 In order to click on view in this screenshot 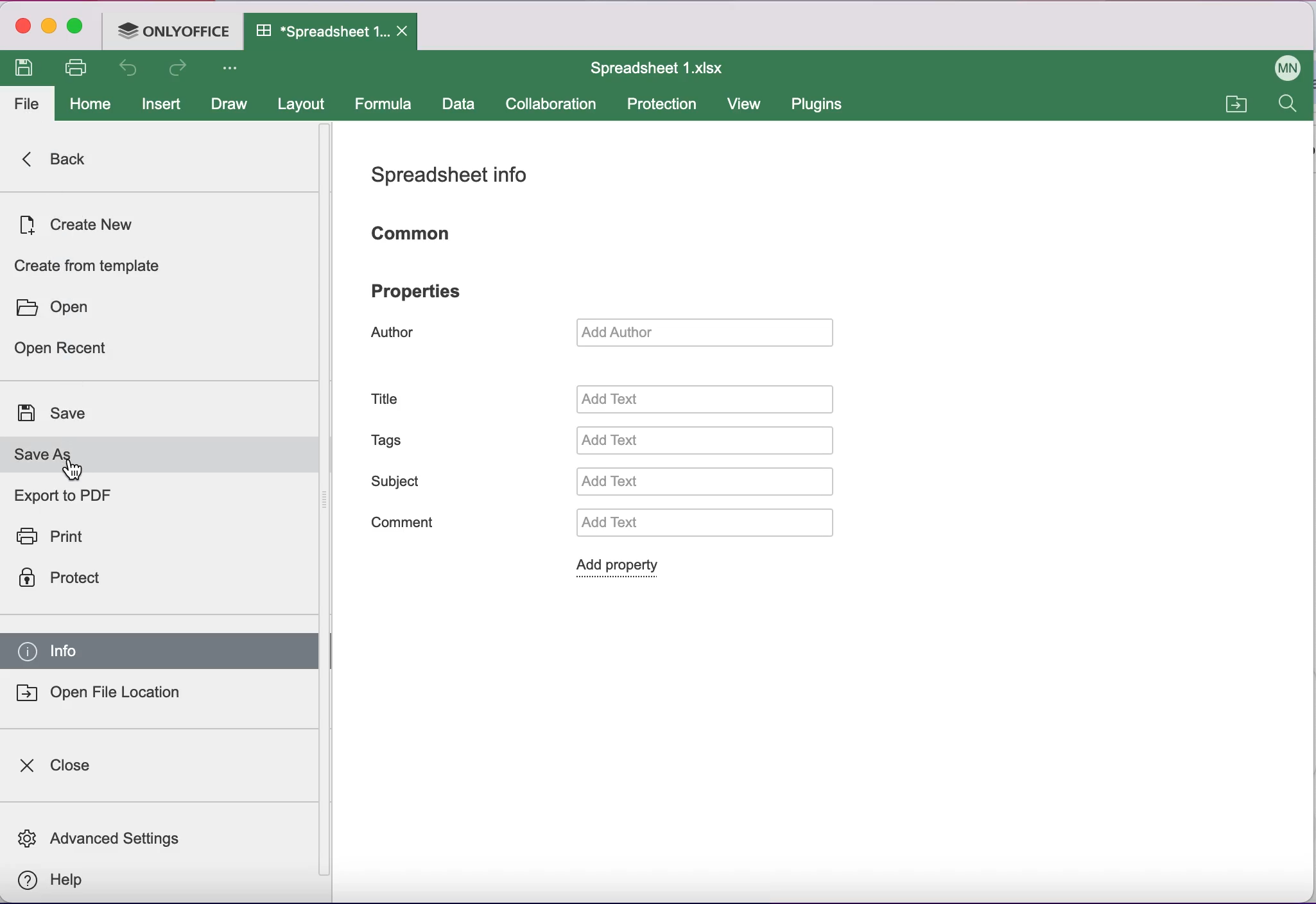, I will do `click(746, 104)`.